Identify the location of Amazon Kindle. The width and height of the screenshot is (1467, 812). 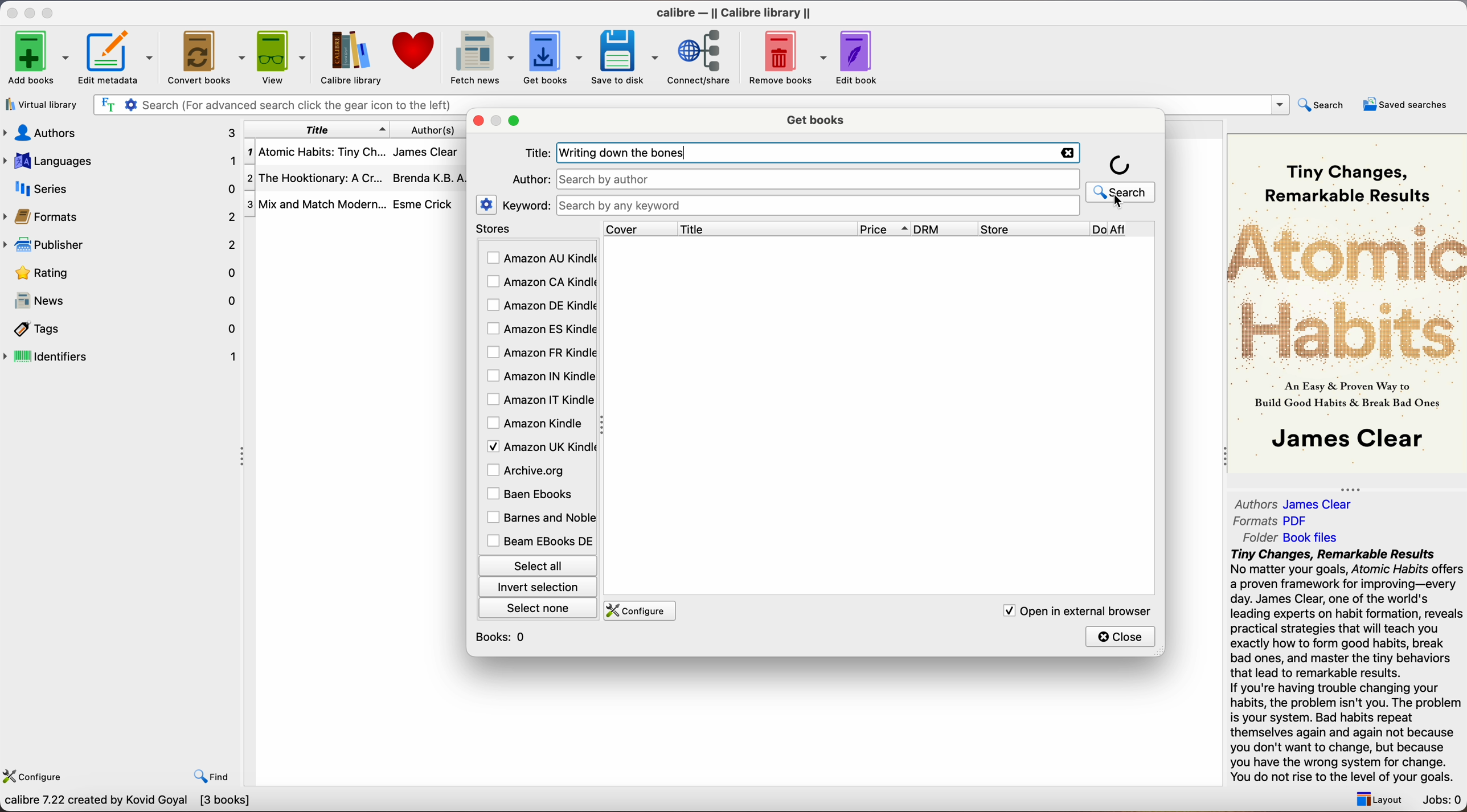
(536, 423).